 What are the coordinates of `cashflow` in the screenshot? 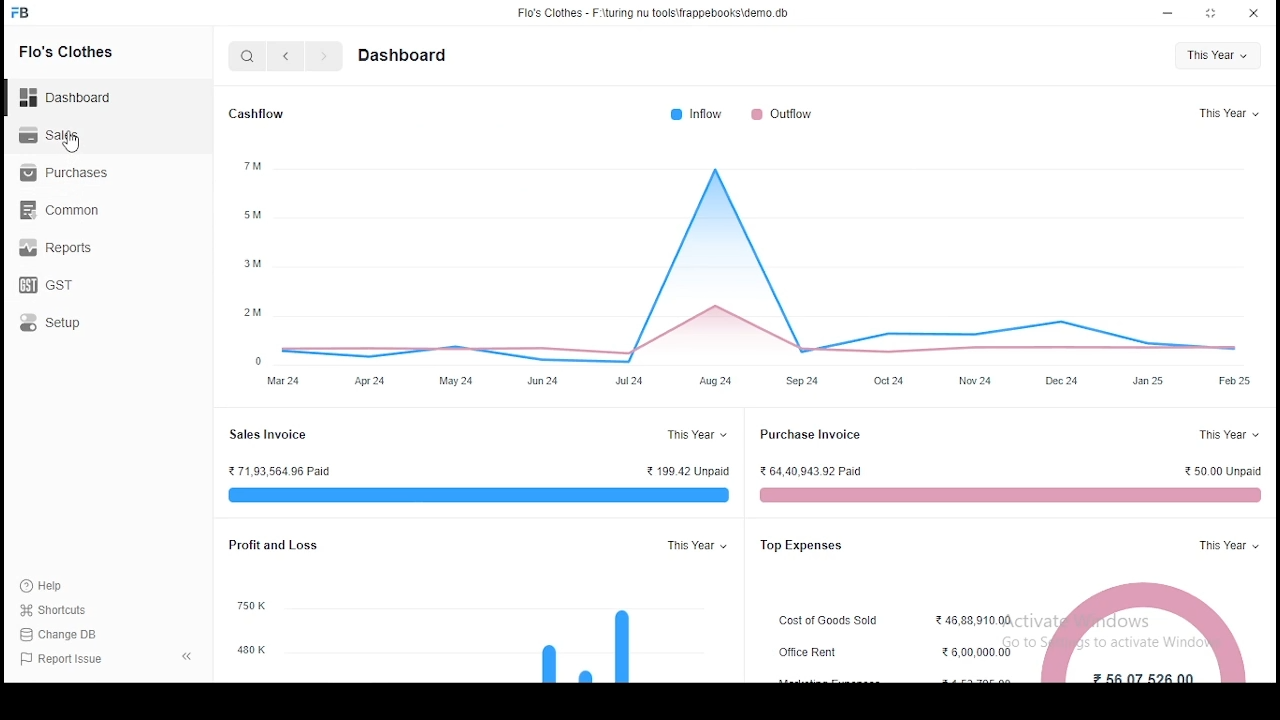 It's located at (260, 115).